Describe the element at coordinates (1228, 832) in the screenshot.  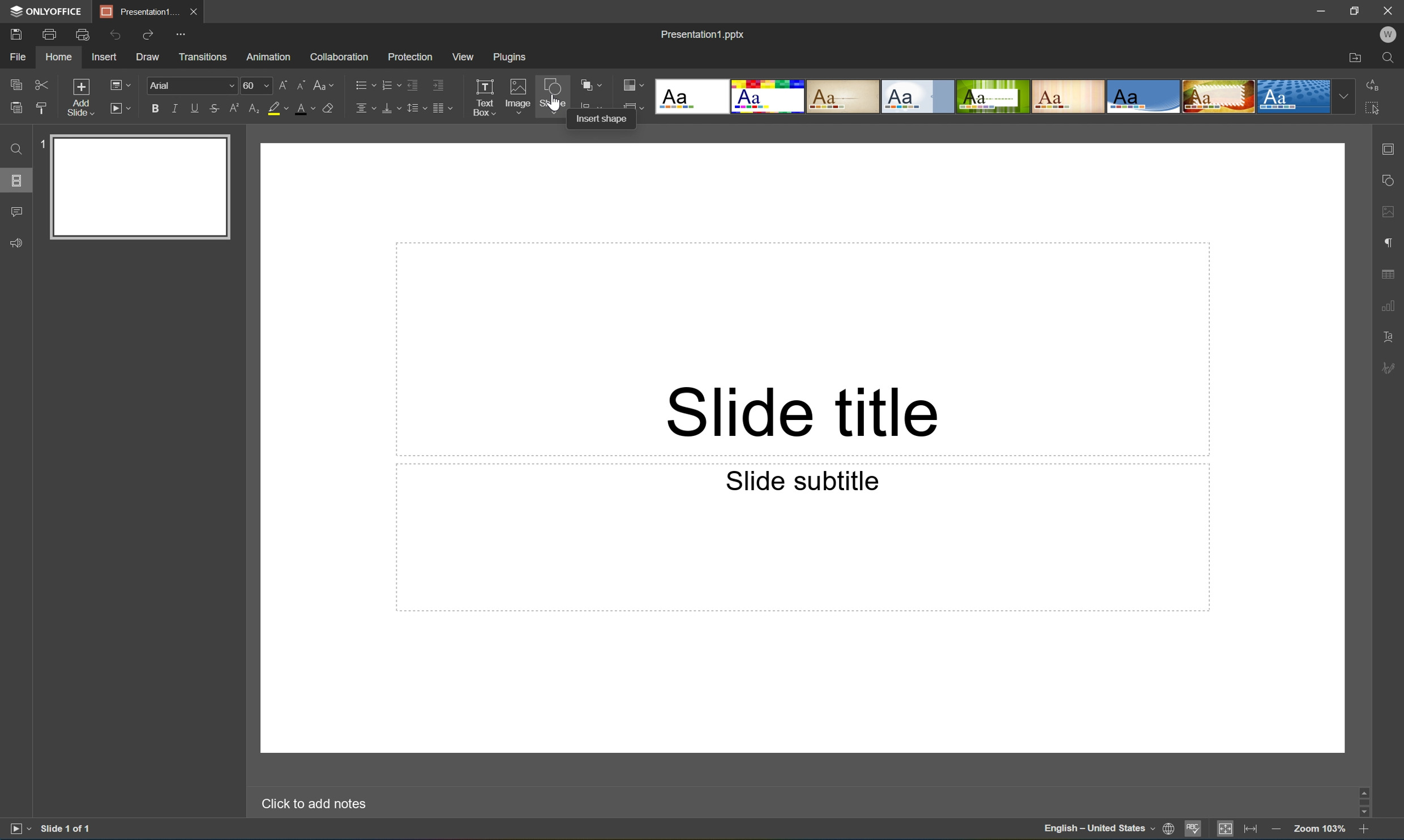
I see `Fit to slide` at that location.